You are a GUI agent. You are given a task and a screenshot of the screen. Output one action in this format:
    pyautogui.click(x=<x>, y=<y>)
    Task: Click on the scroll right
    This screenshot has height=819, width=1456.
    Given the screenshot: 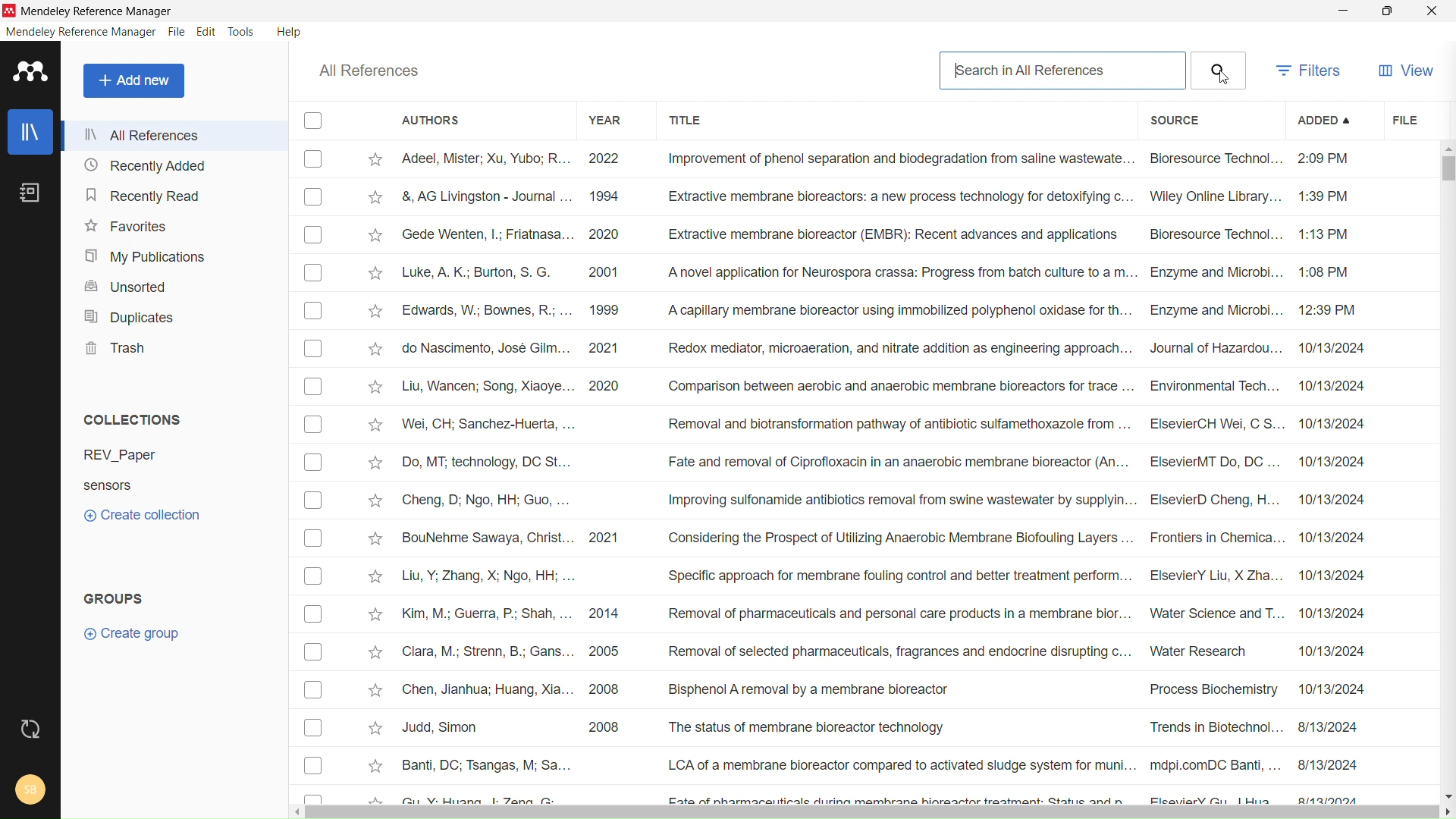 What is the action you would take?
    pyautogui.click(x=1447, y=811)
    